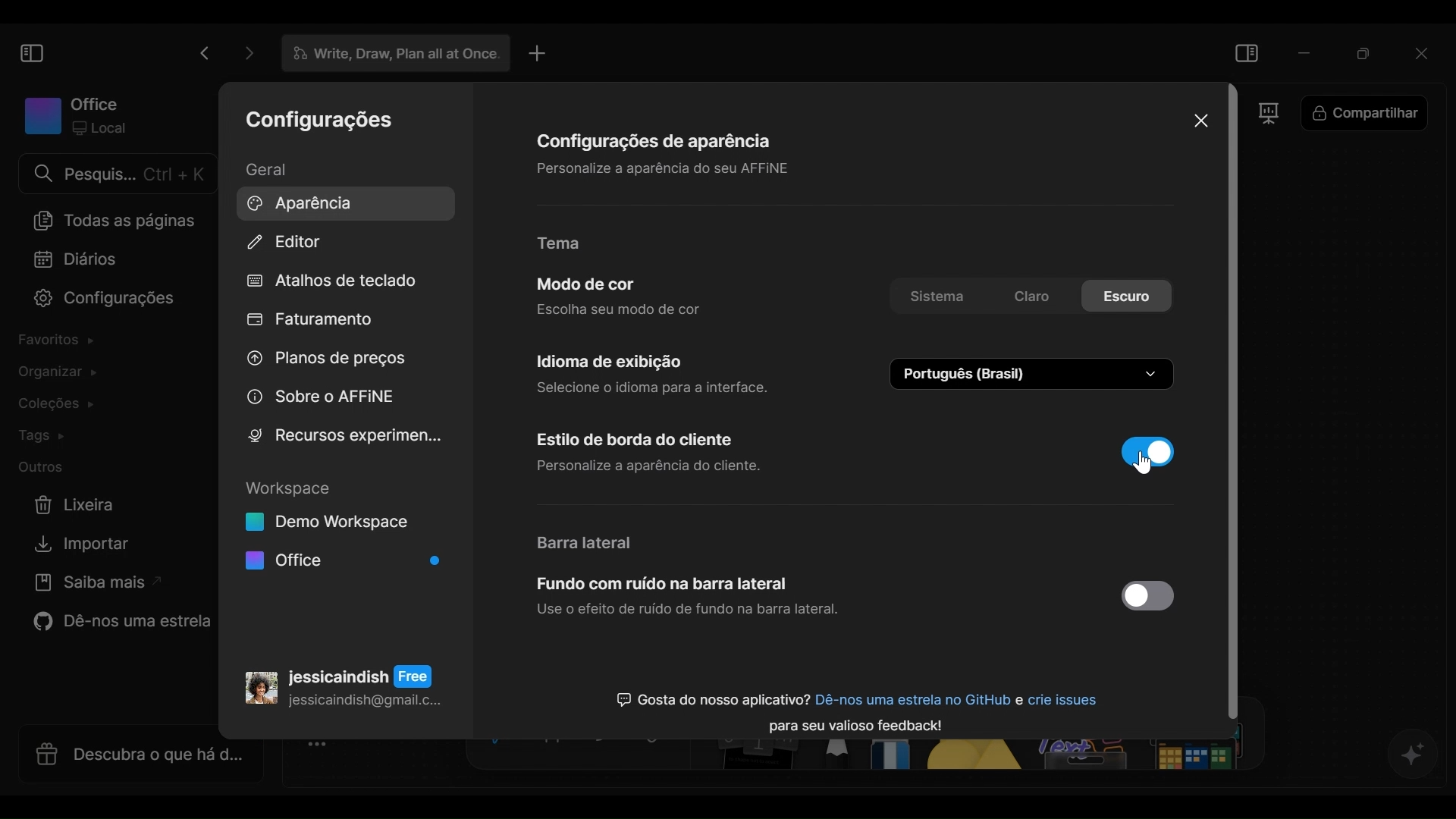 This screenshot has height=819, width=1456. Describe the element at coordinates (93, 585) in the screenshot. I see `Learn more` at that location.